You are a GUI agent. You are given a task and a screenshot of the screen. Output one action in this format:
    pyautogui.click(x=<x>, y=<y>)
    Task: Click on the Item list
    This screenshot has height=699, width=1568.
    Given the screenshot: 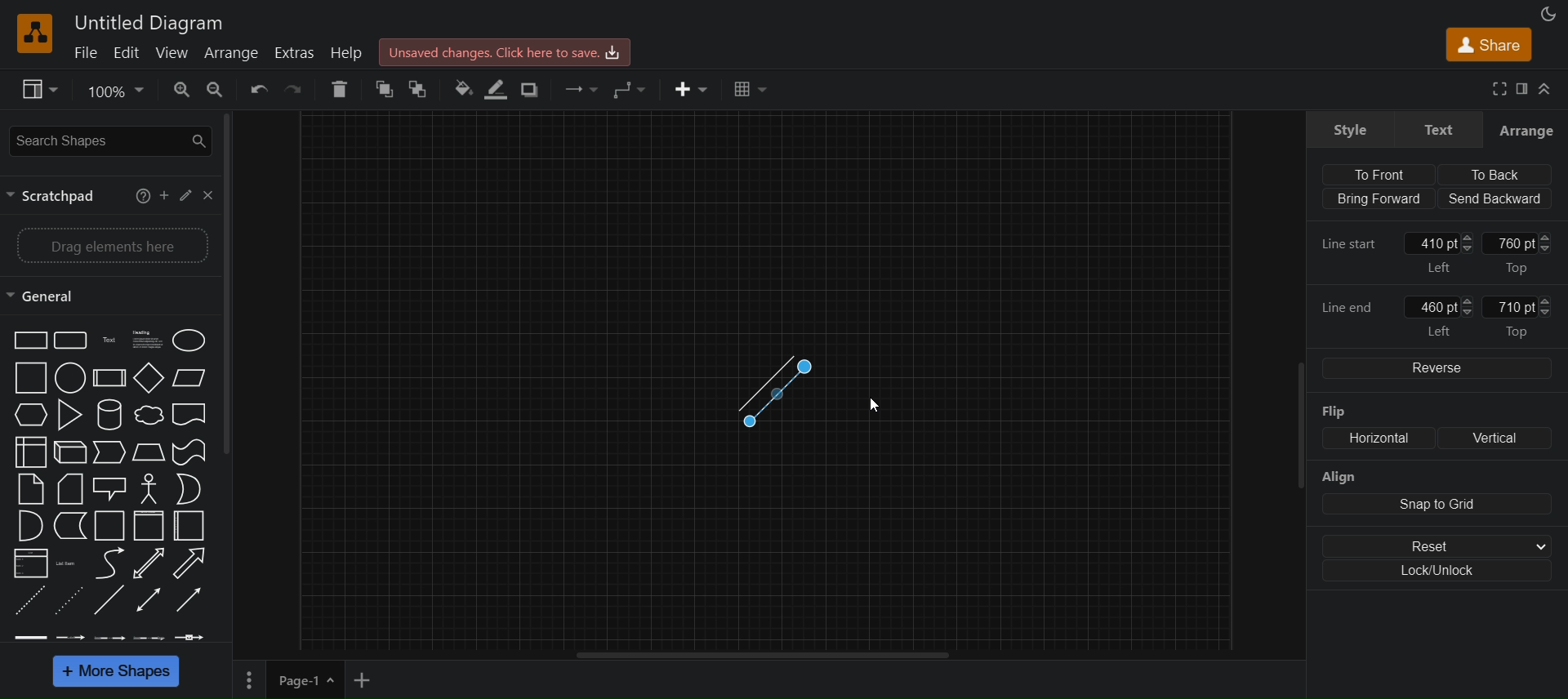 What is the action you would take?
    pyautogui.click(x=68, y=563)
    